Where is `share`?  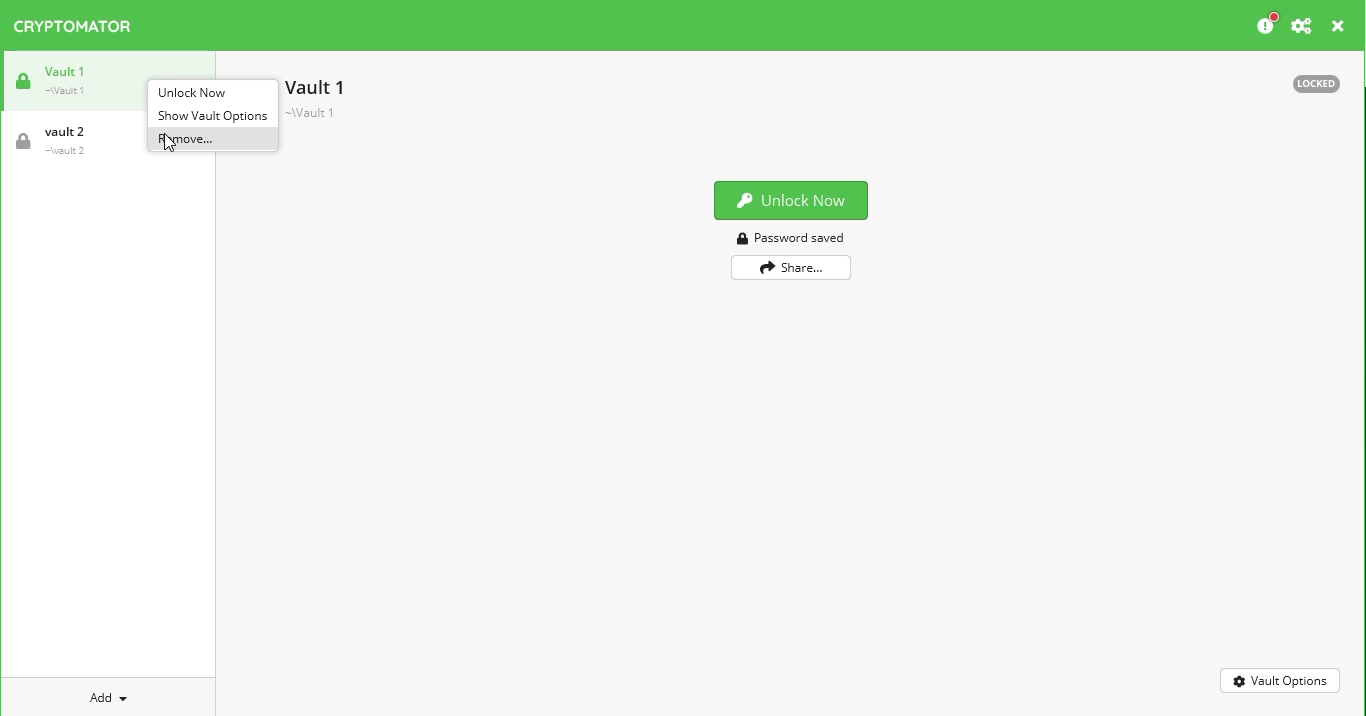 share is located at coordinates (791, 267).